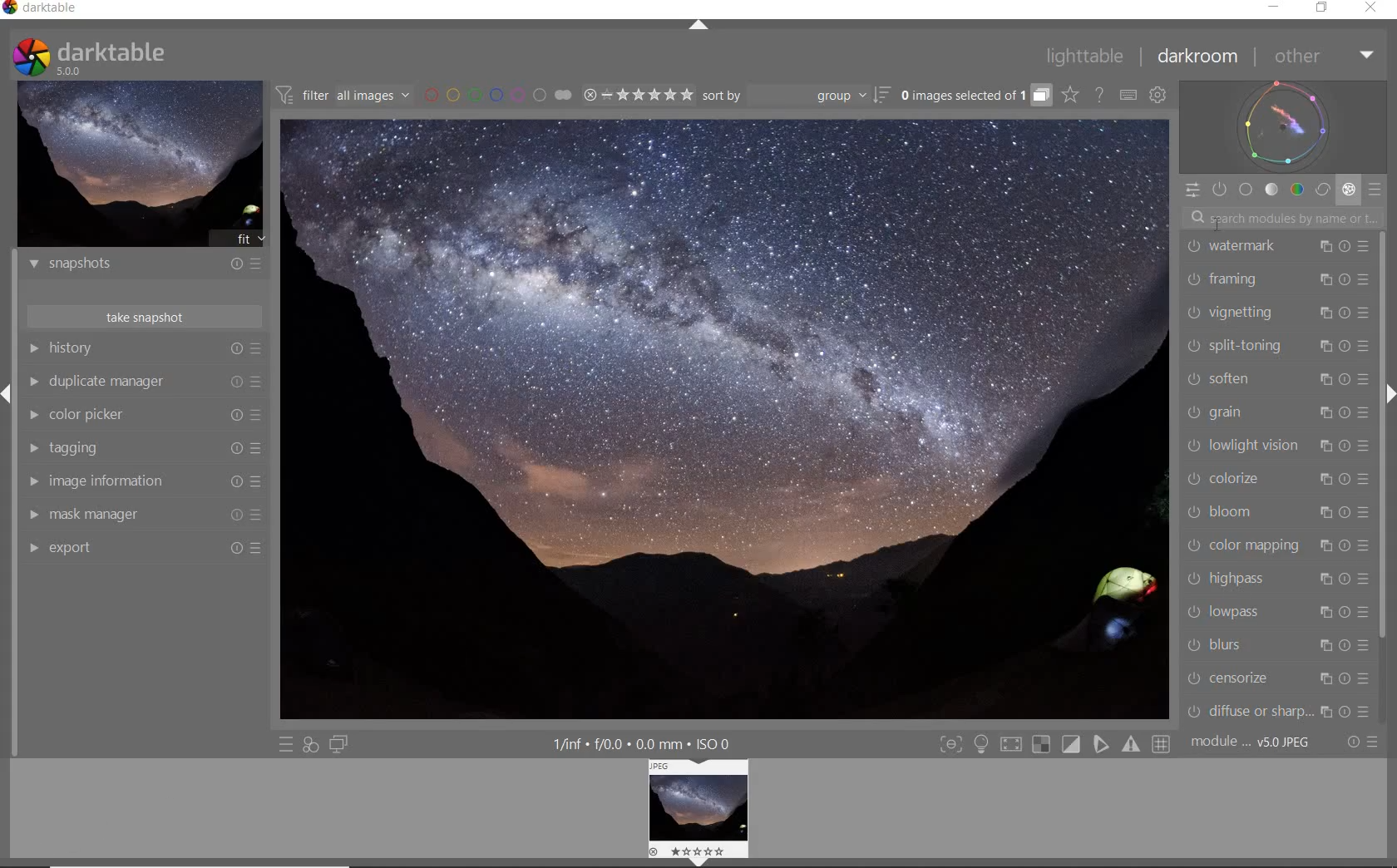 The image size is (1397, 868). Describe the element at coordinates (1324, 677) in the screenshot. I see `multiple instance actions` at that location.